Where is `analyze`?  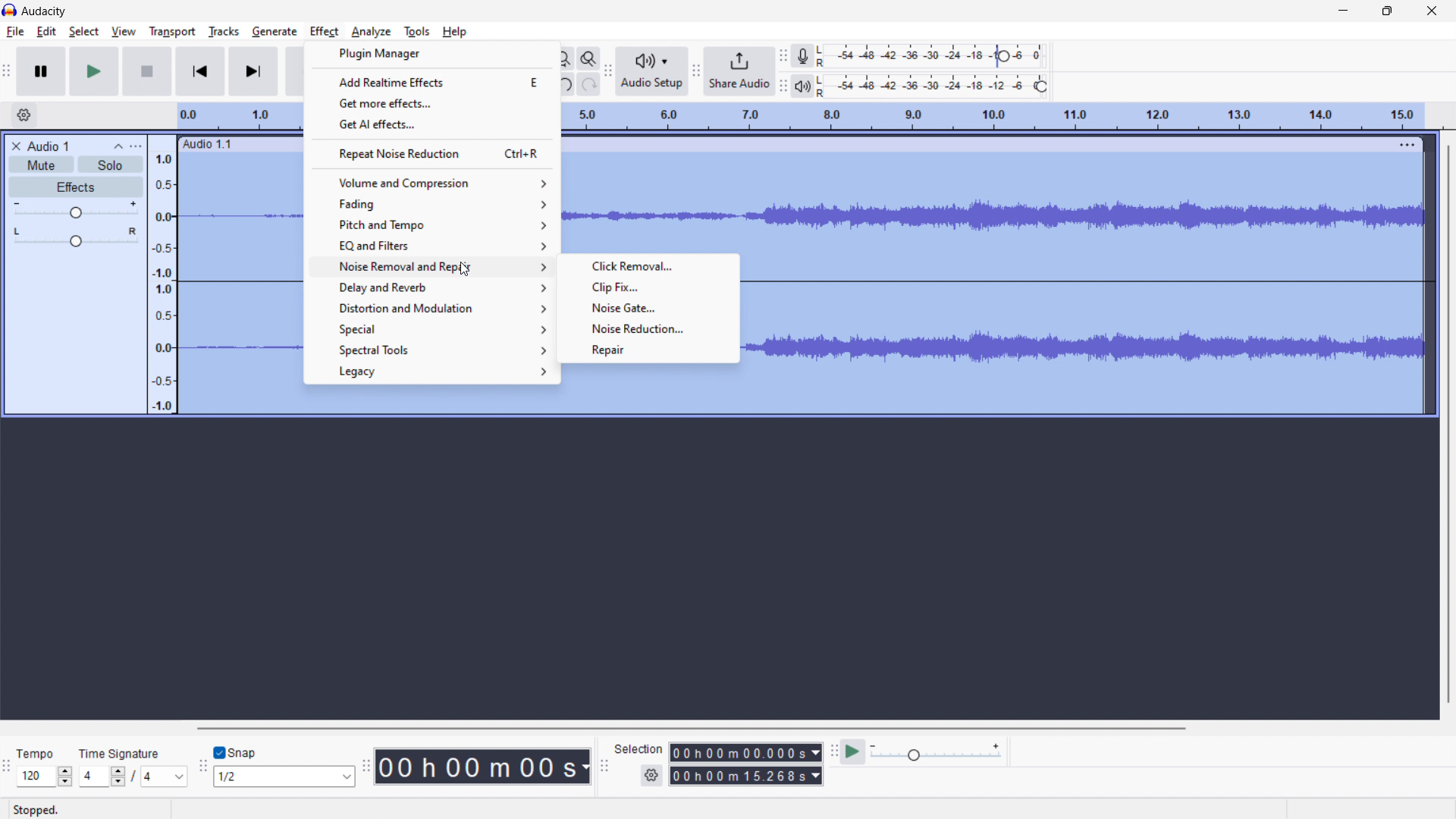 analyze is located at coordinates (372, 32).